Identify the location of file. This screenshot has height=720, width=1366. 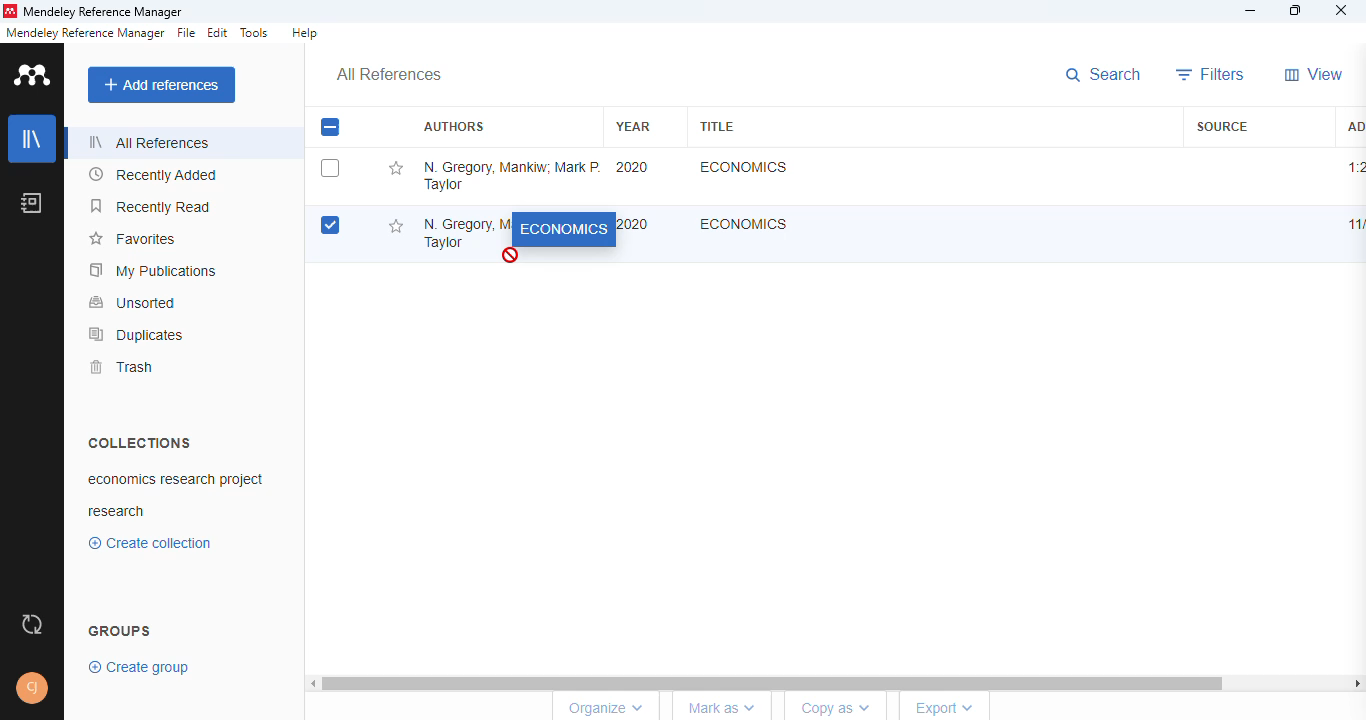
(186, 33).